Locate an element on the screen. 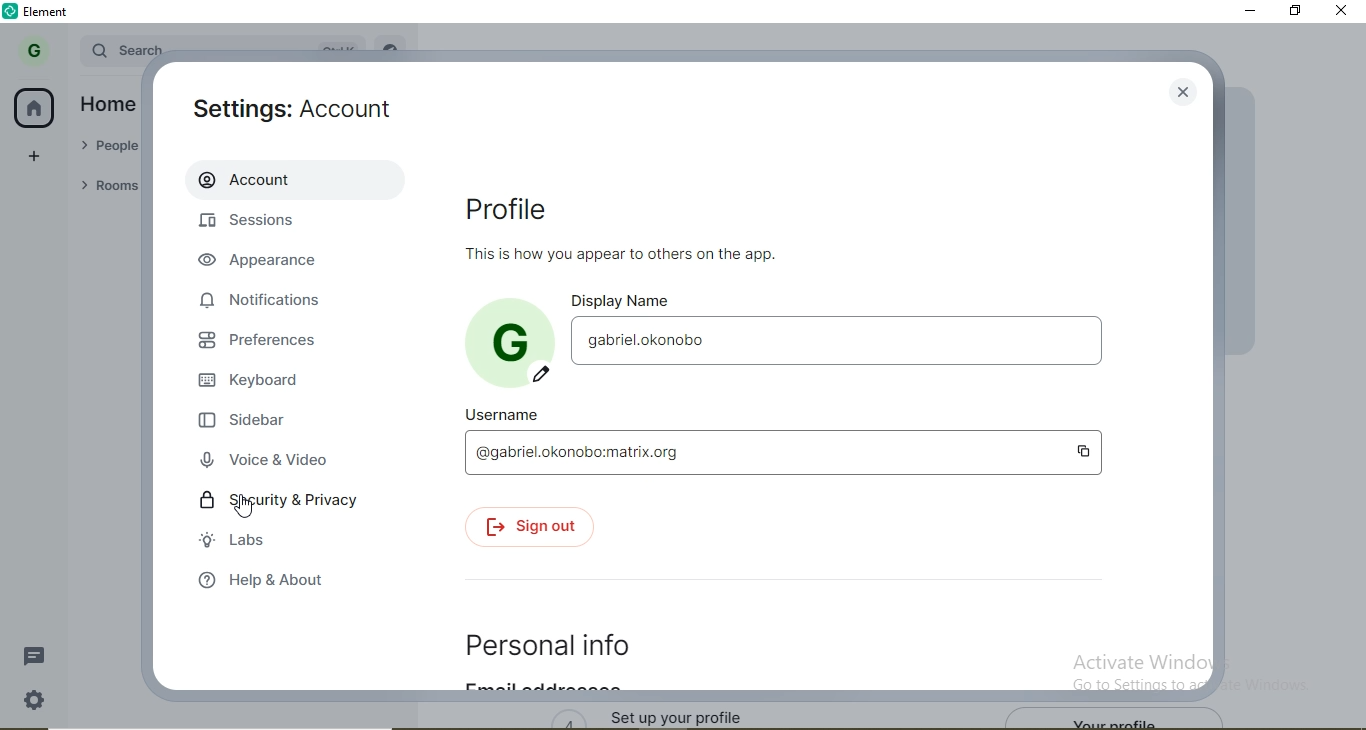  voice & video is located at coordinates (268, 463).